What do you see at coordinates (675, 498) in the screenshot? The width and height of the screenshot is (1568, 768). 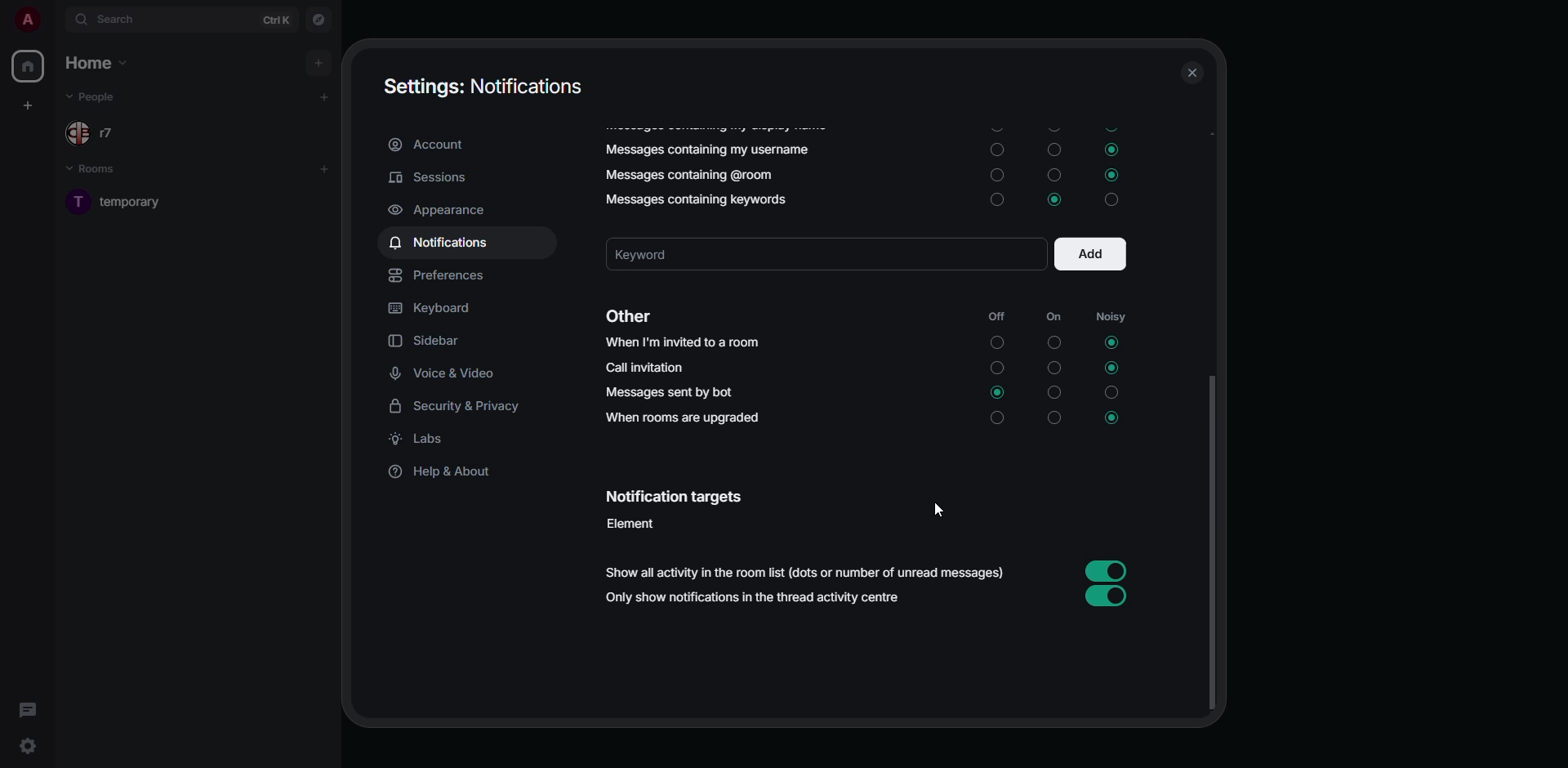 I see `notification targets` at bounding box center [675, 498].